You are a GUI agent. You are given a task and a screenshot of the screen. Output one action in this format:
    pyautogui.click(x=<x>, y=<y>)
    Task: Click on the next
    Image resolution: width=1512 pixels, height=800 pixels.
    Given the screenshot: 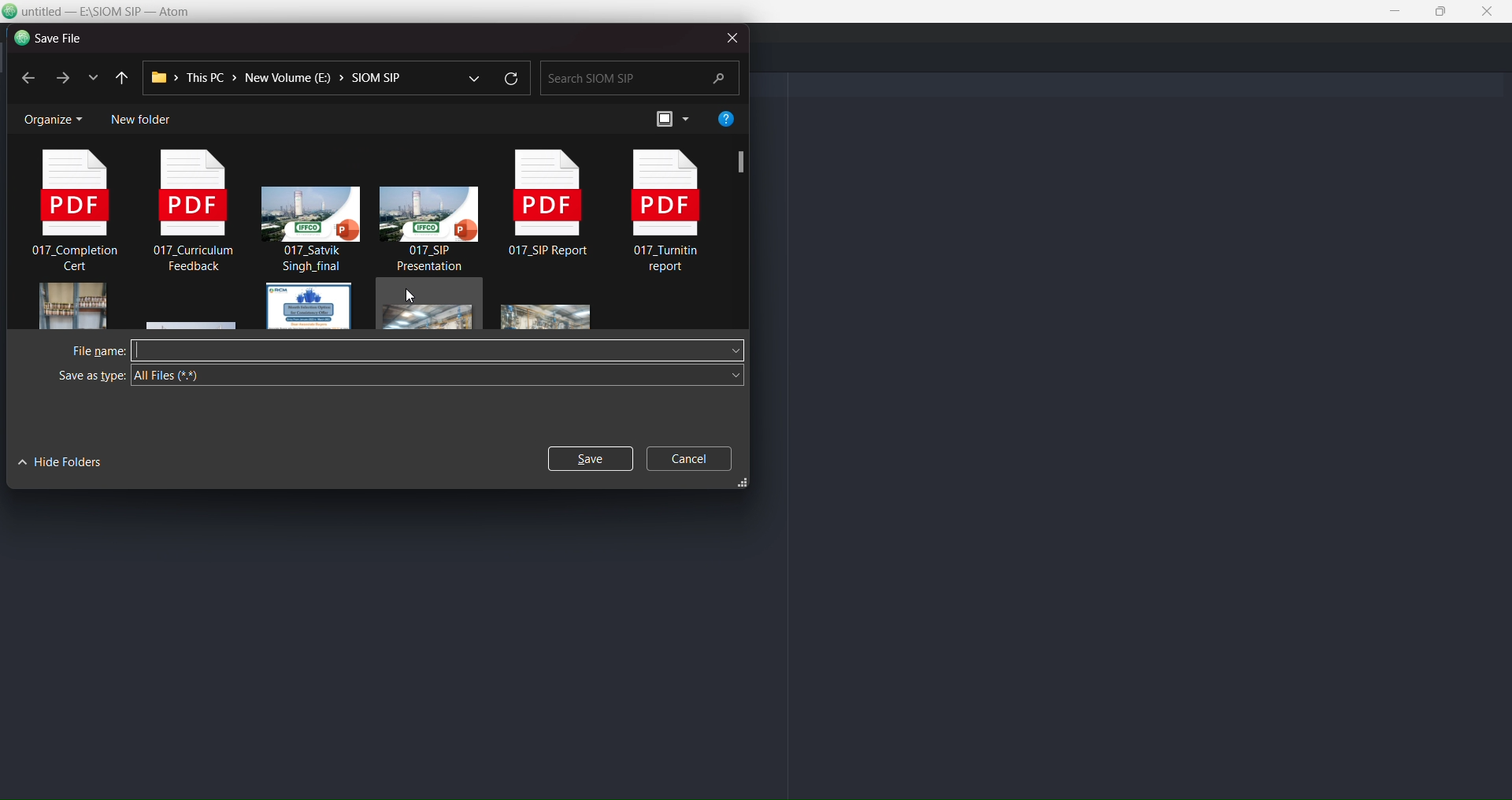 What is the action you would take?
    pyautogui.click(x=61, y=77)
    